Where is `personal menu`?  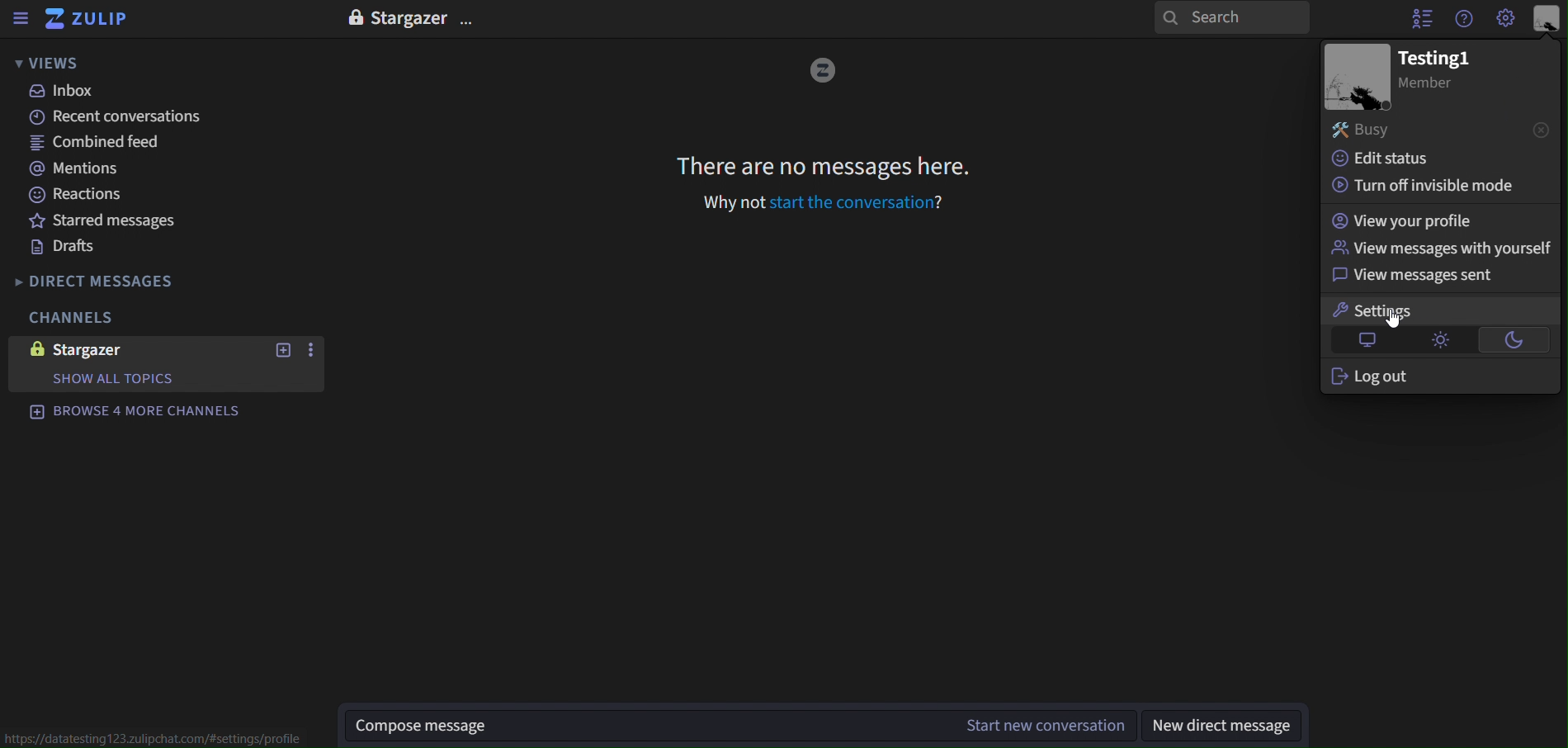 personal menu is located at coordinates (1545, 22).